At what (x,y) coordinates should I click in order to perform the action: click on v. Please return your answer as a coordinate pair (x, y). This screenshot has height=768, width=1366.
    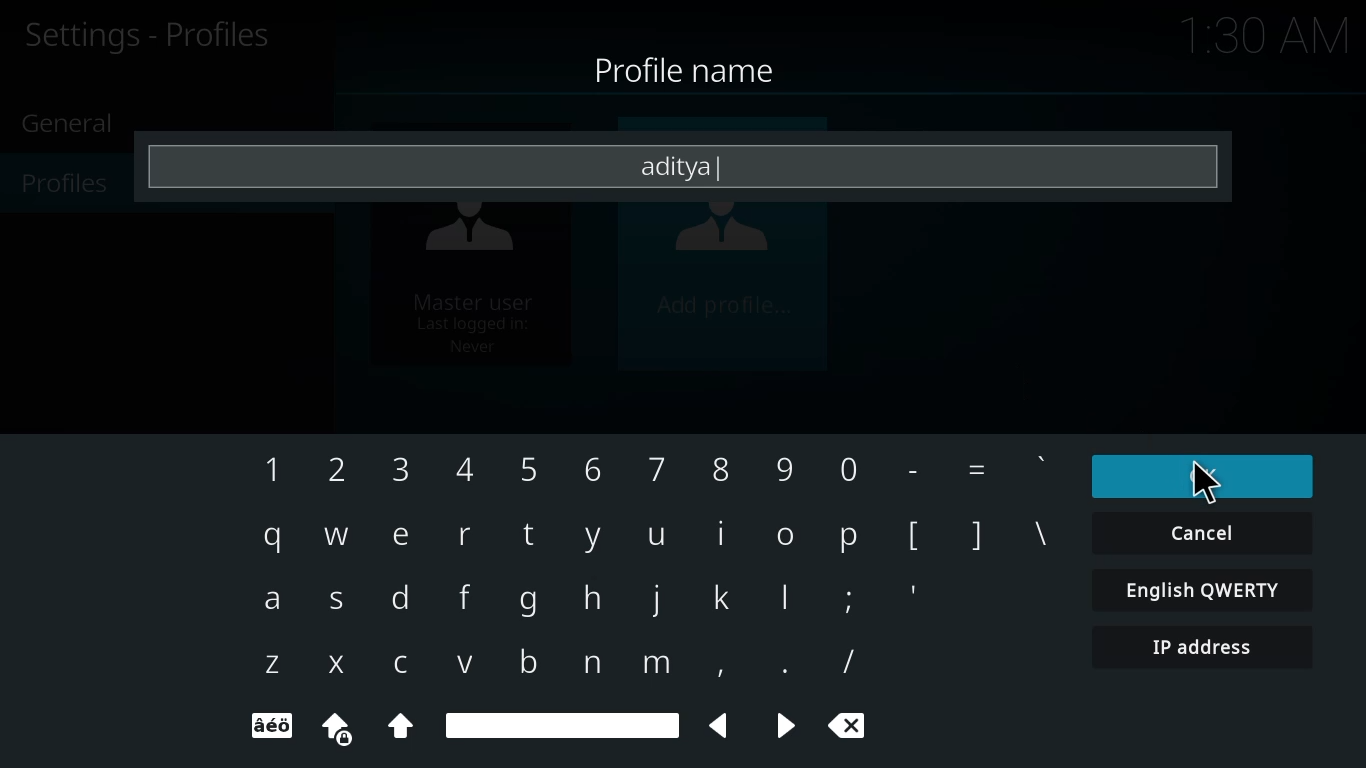
    Looking at the image, I should click on (459, 660).